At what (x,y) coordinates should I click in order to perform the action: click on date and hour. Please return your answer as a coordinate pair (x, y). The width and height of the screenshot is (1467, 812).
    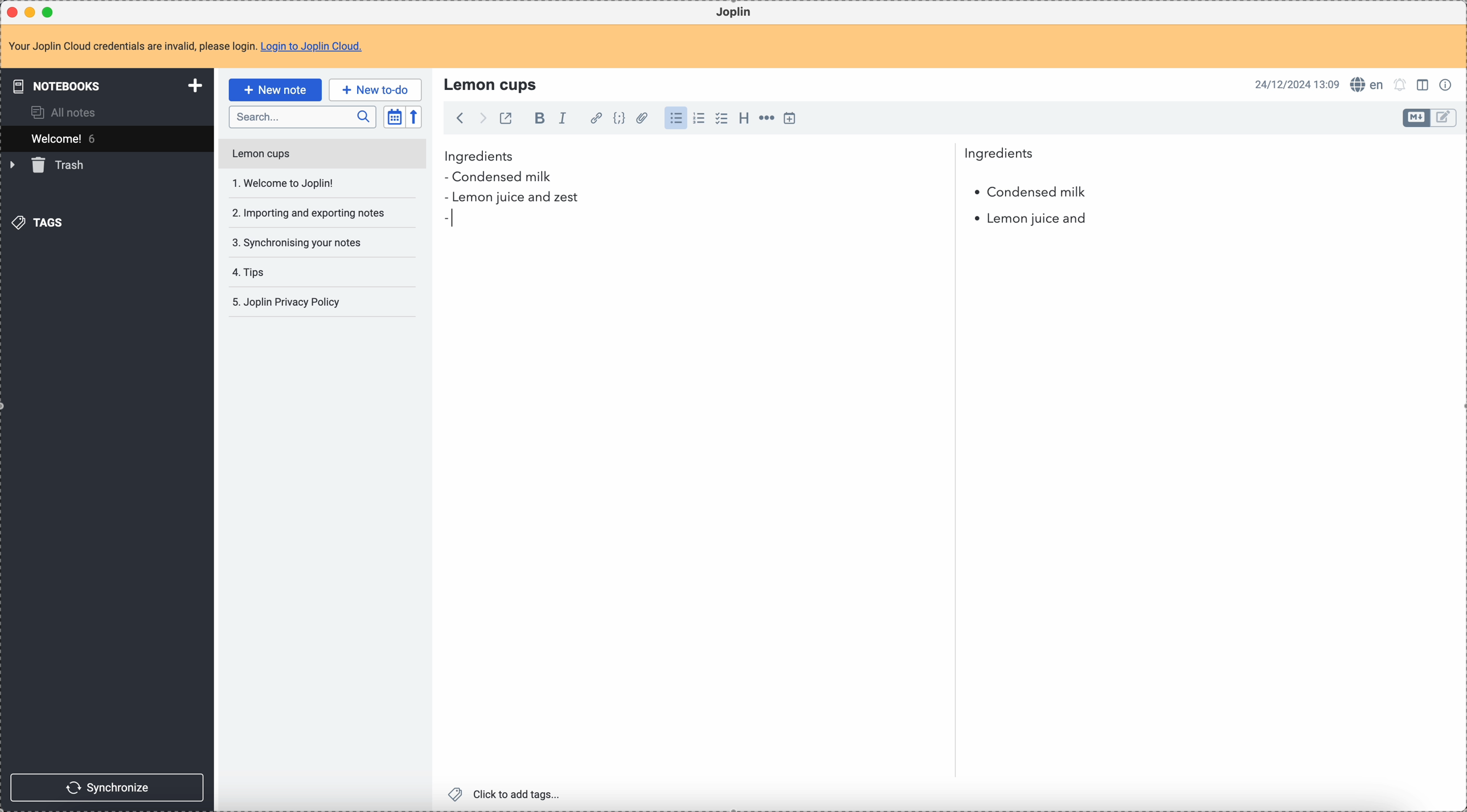
    Looking at the image, I should click on (1297, 84).